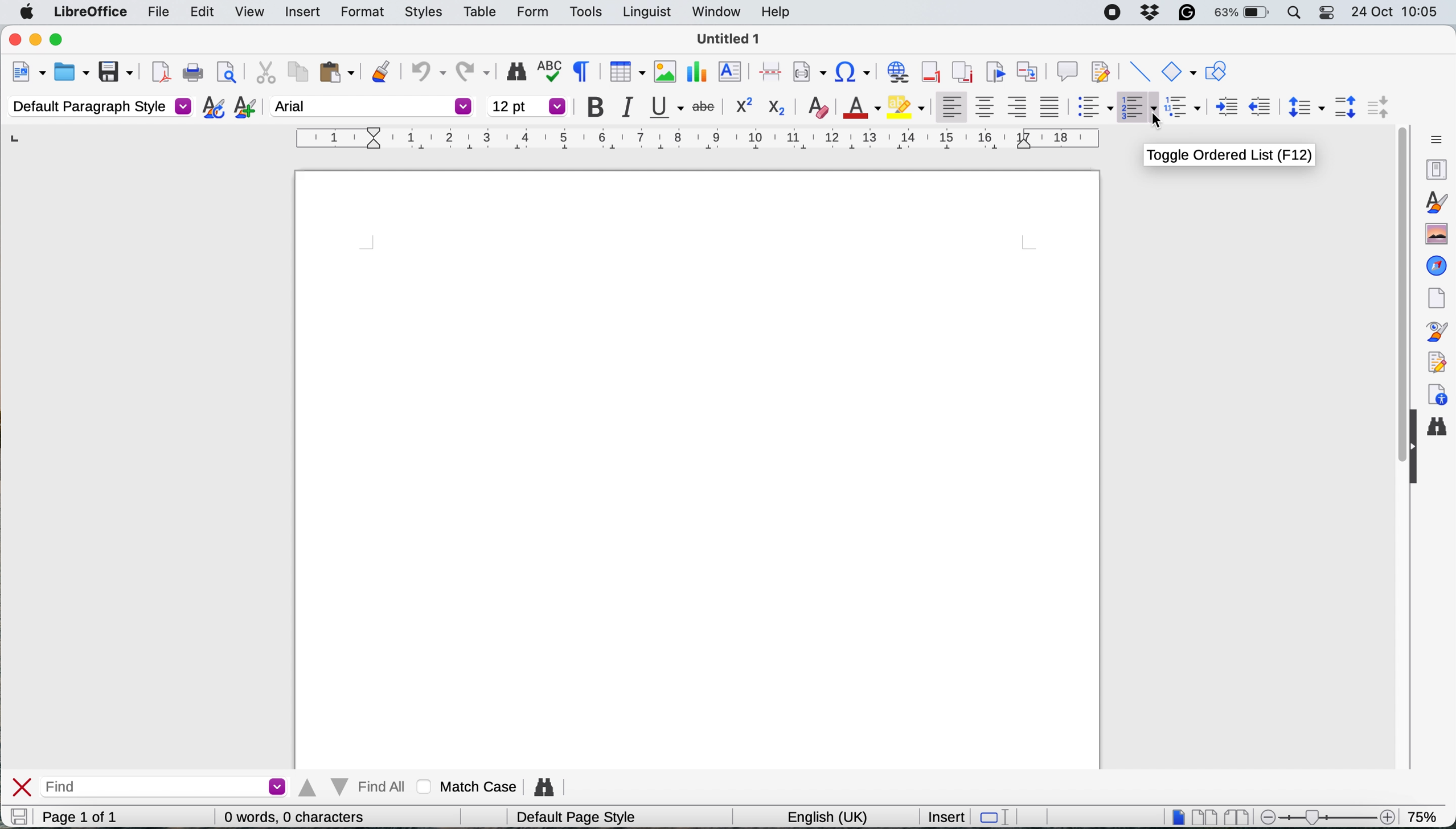  Describe the element at coordinates (159, 72) in the screenshot. I see `export directly as pdf` at that location.